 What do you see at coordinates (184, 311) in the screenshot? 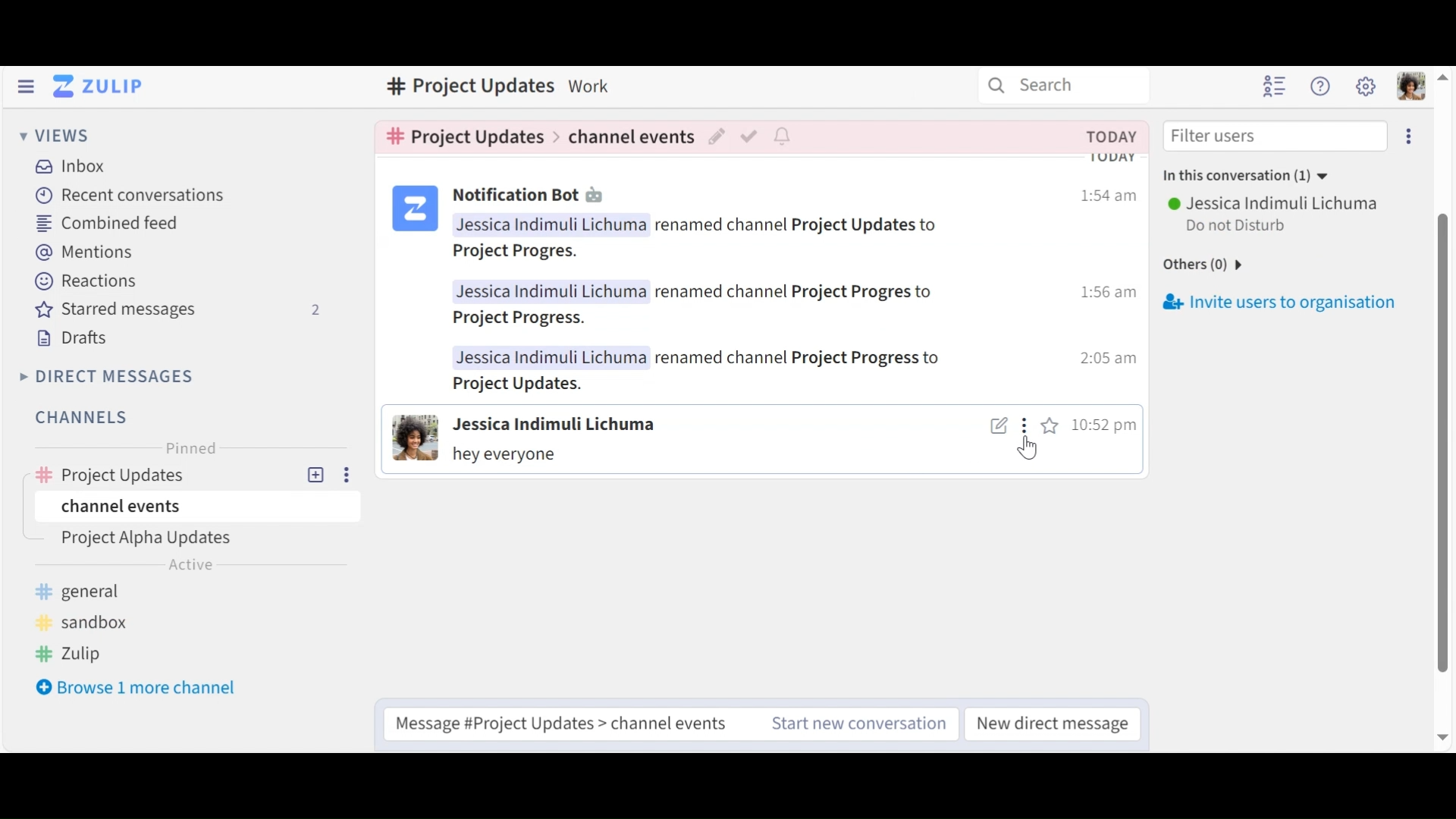
I see `Starred messages` at bounding box center [184, 311].